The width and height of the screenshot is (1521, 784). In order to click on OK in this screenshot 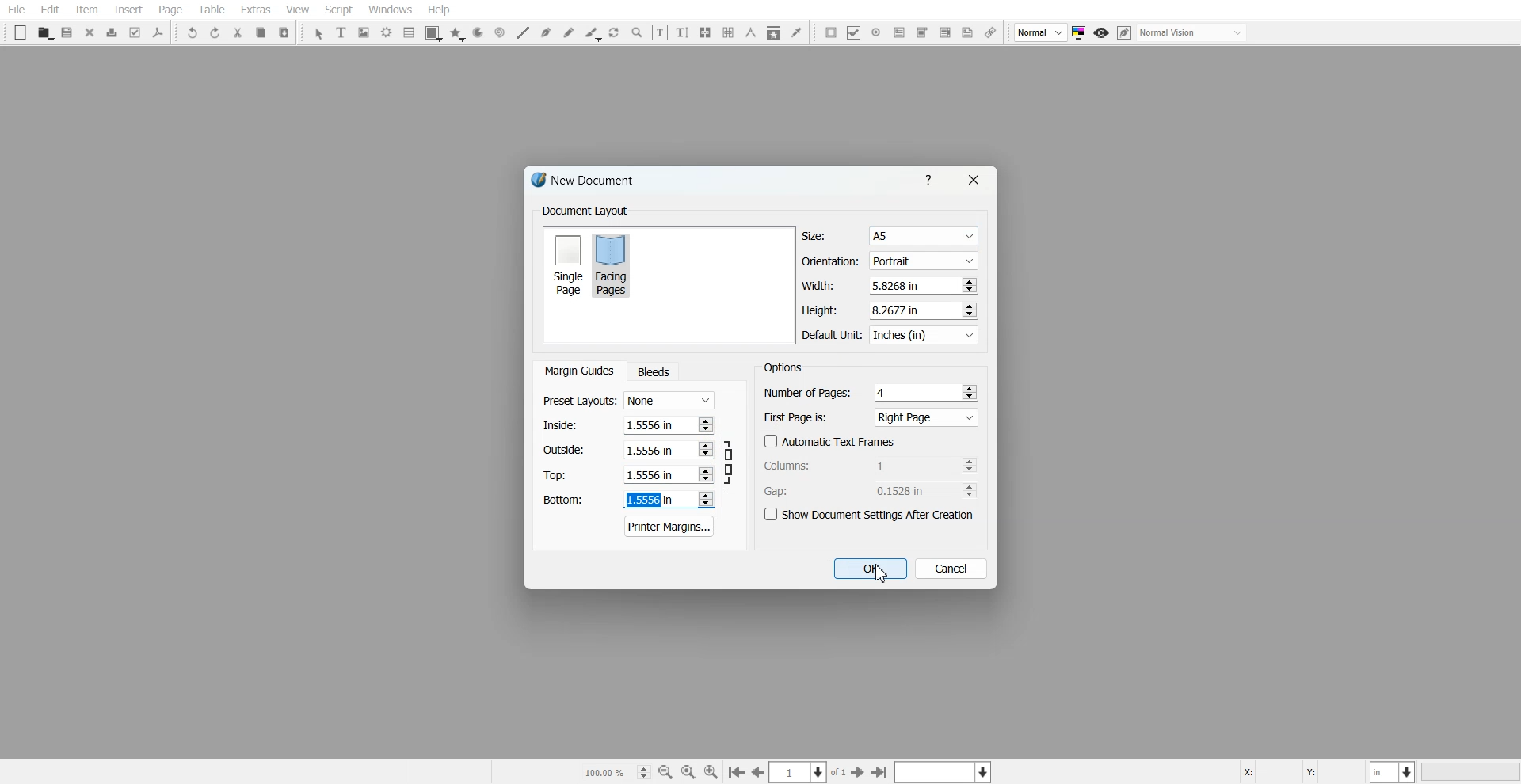, I will do `click(869, 569)`.